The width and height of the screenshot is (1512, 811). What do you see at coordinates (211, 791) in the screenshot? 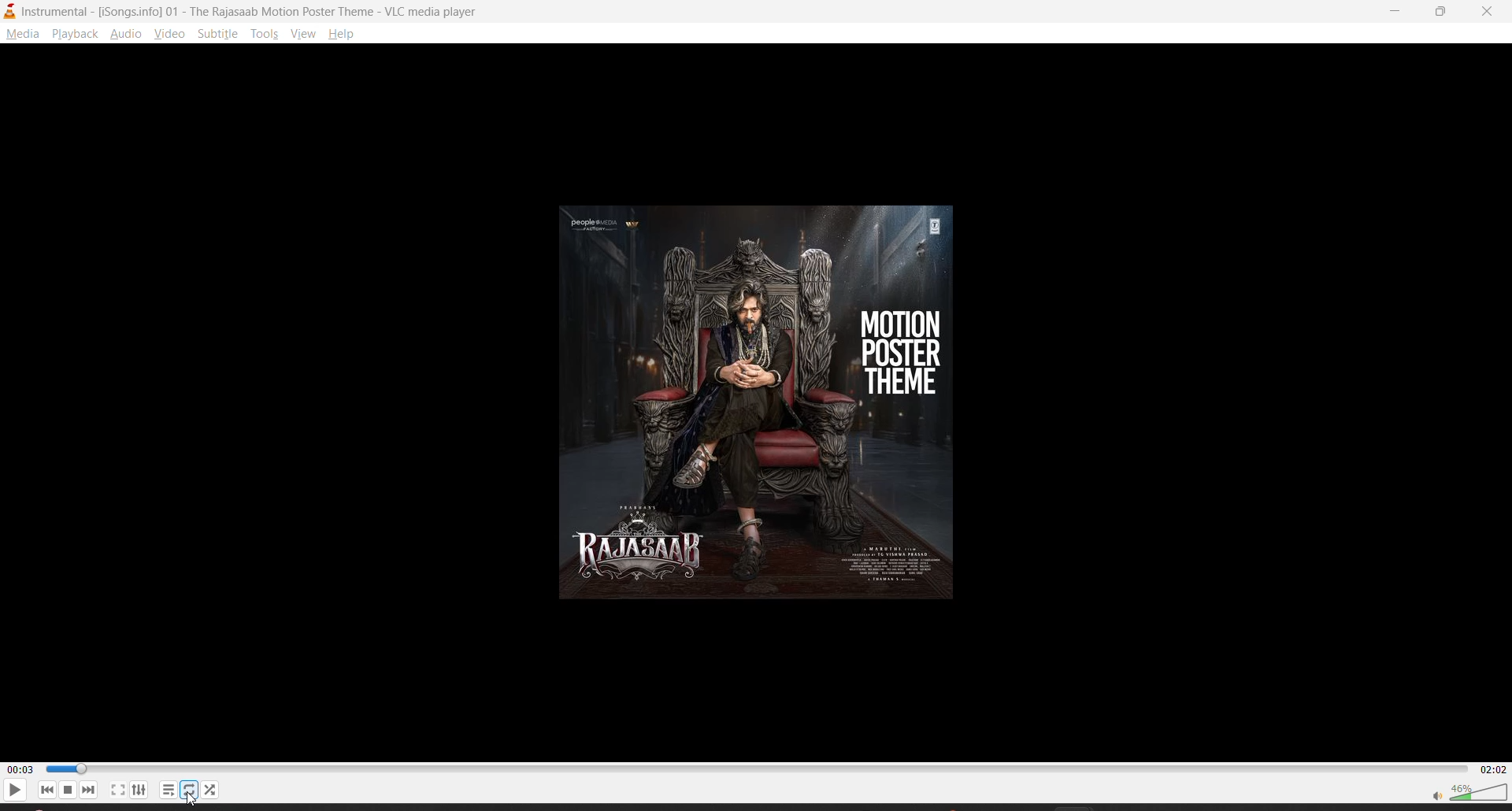
I see `random` at bounding box center [211, 791].